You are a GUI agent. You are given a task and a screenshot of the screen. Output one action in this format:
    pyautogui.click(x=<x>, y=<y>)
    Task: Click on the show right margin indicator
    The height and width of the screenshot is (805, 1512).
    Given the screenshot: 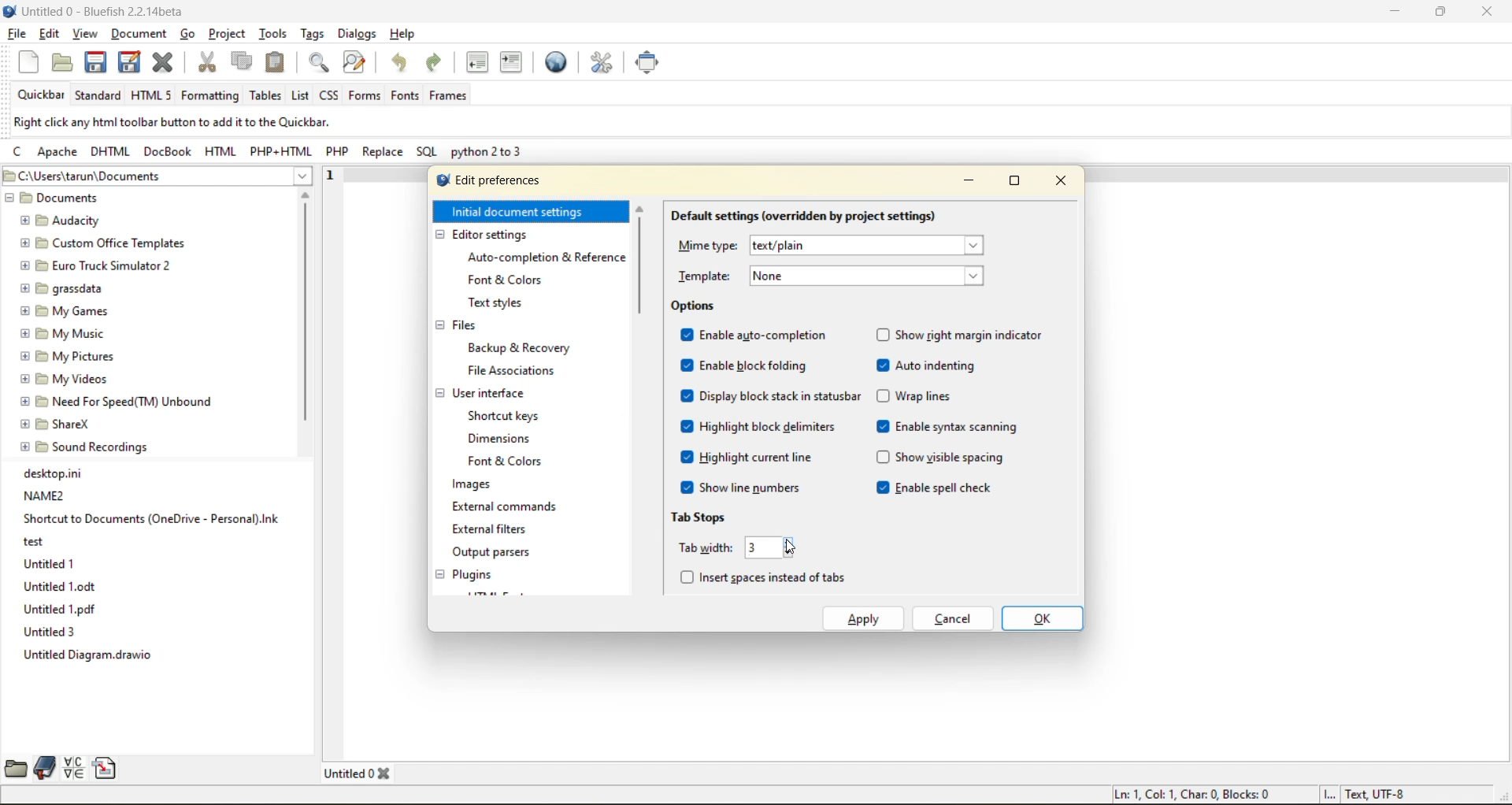 What is the action you would take?
    pyautogui.click(x=964, y=334)
    